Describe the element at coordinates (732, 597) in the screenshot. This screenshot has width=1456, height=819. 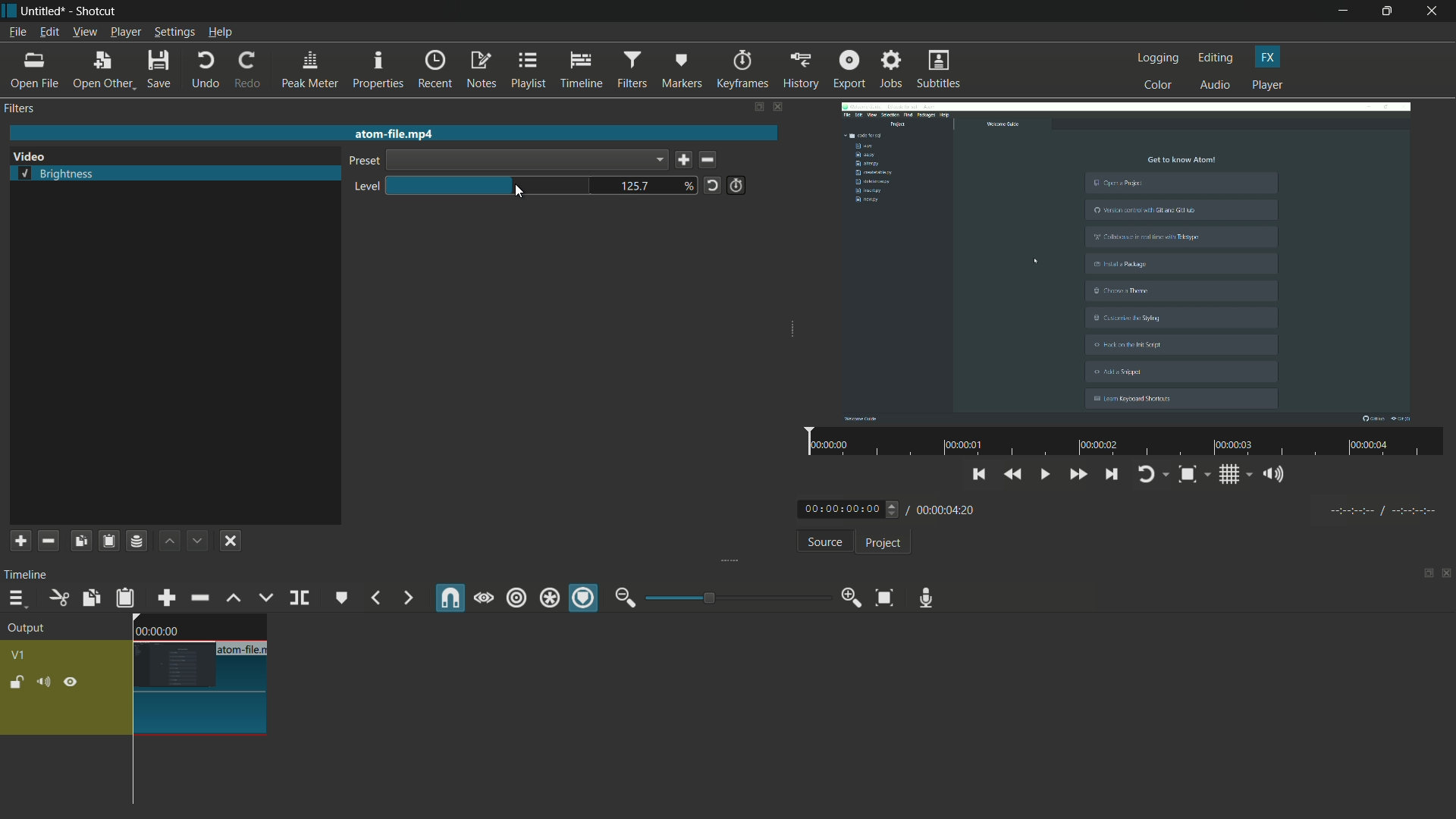
I see `zoom bar` at that location.